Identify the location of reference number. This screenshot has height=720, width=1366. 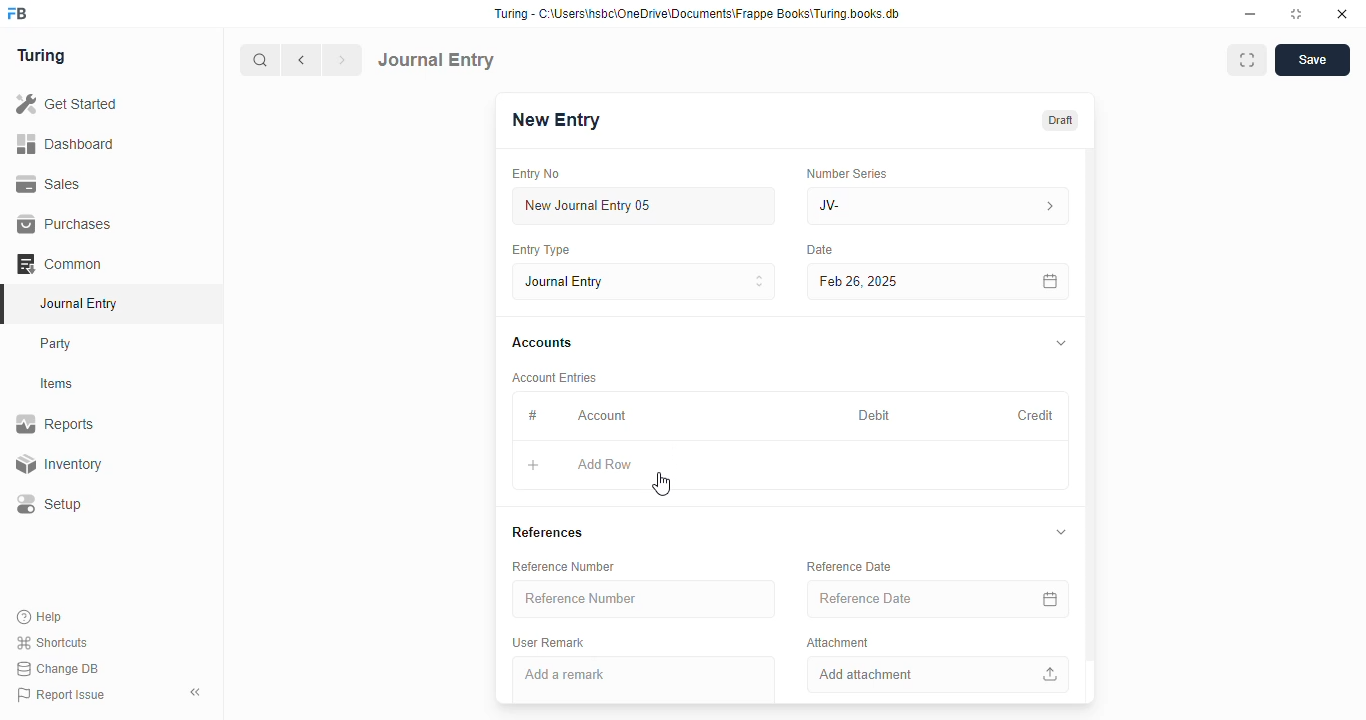
(644, 599).